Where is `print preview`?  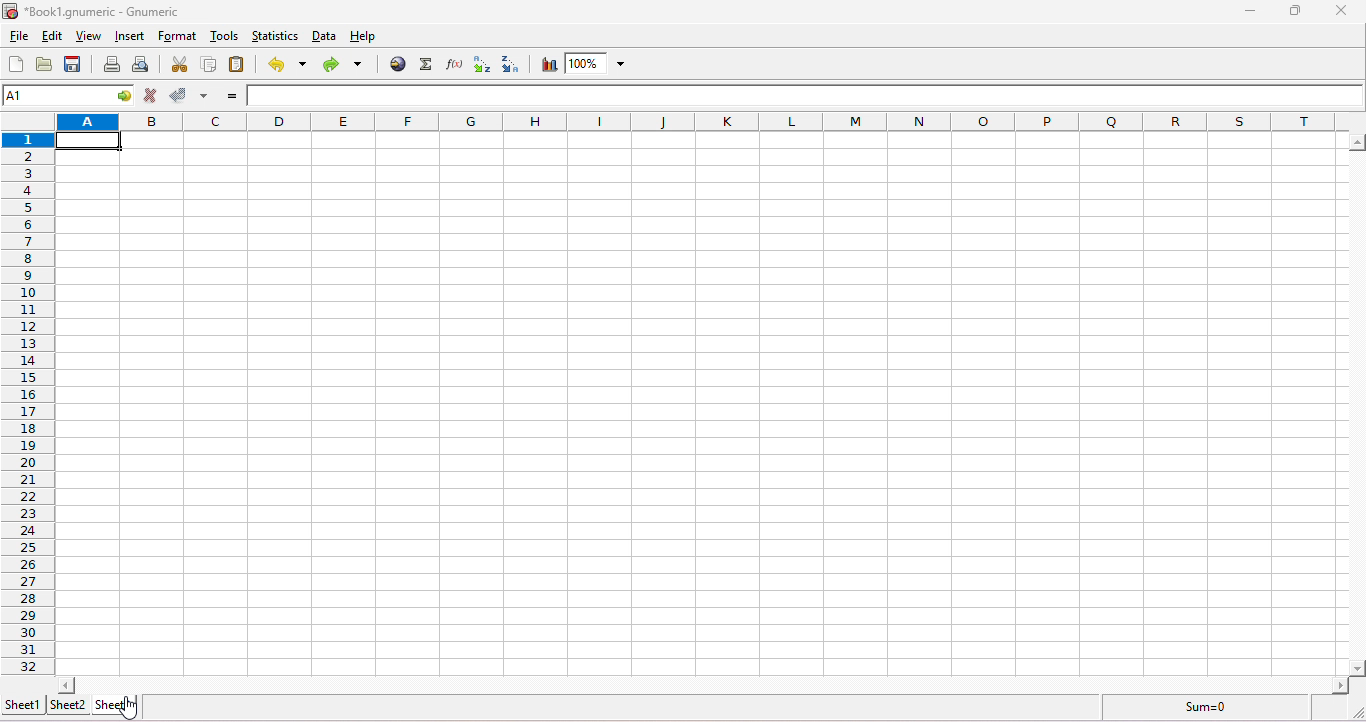 print preview is located at coordinates (148, 65).